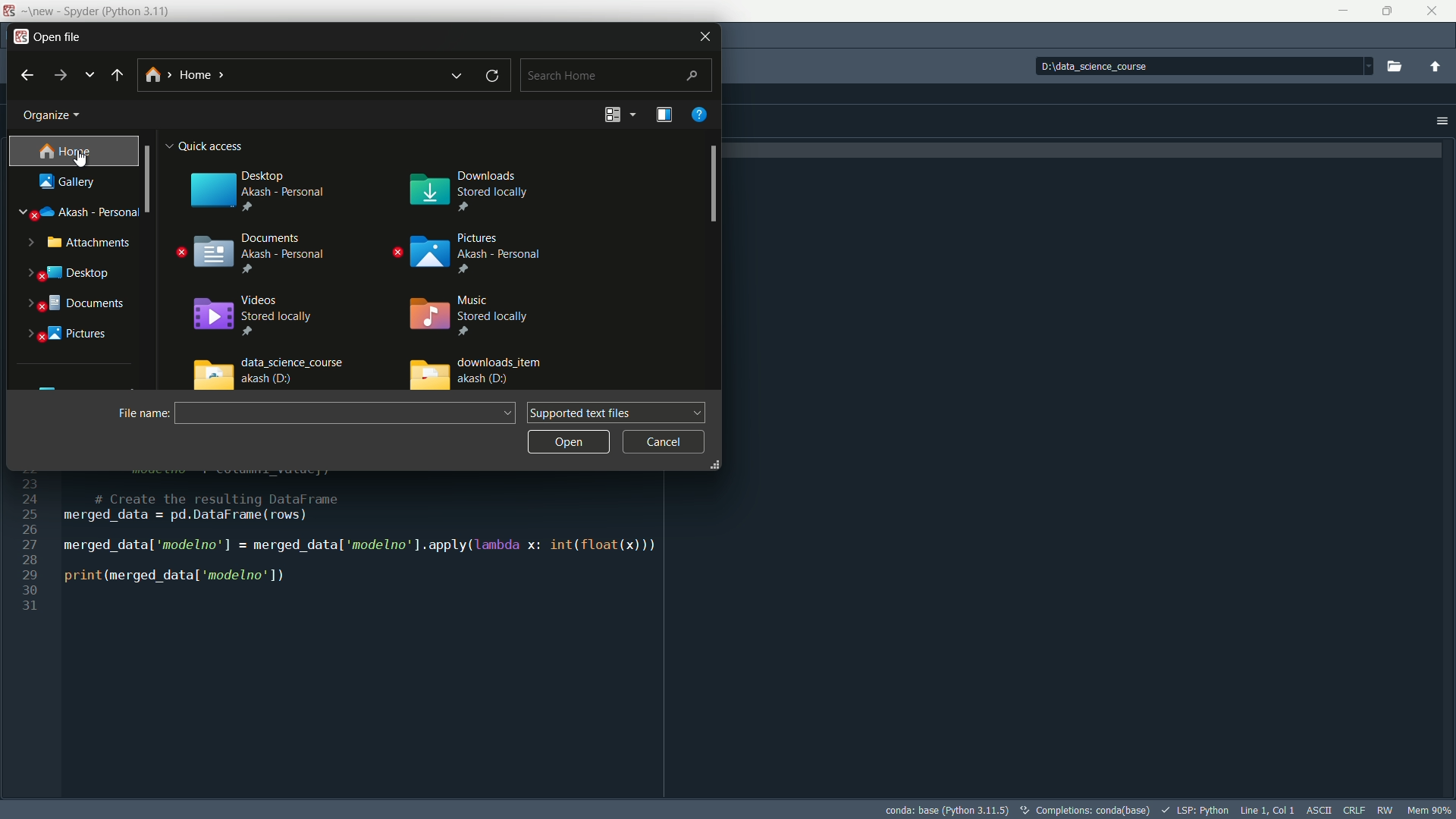  What do you see at coordinates (1384, 12) in the screenshot?
I see `maximize` at bounding box center [1384, 12].